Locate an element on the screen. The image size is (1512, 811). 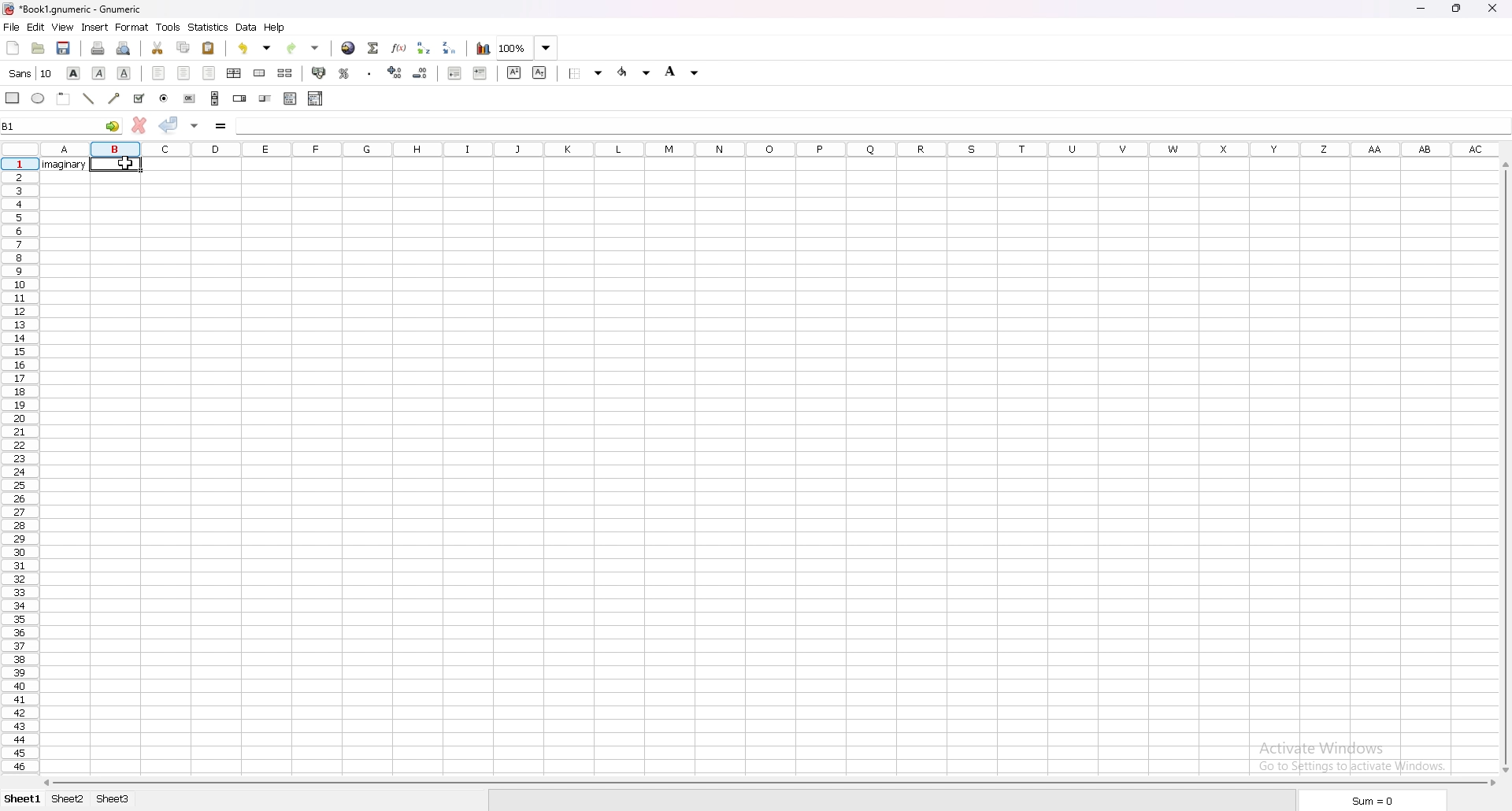
ellipse is located at coordinates (39, 97).